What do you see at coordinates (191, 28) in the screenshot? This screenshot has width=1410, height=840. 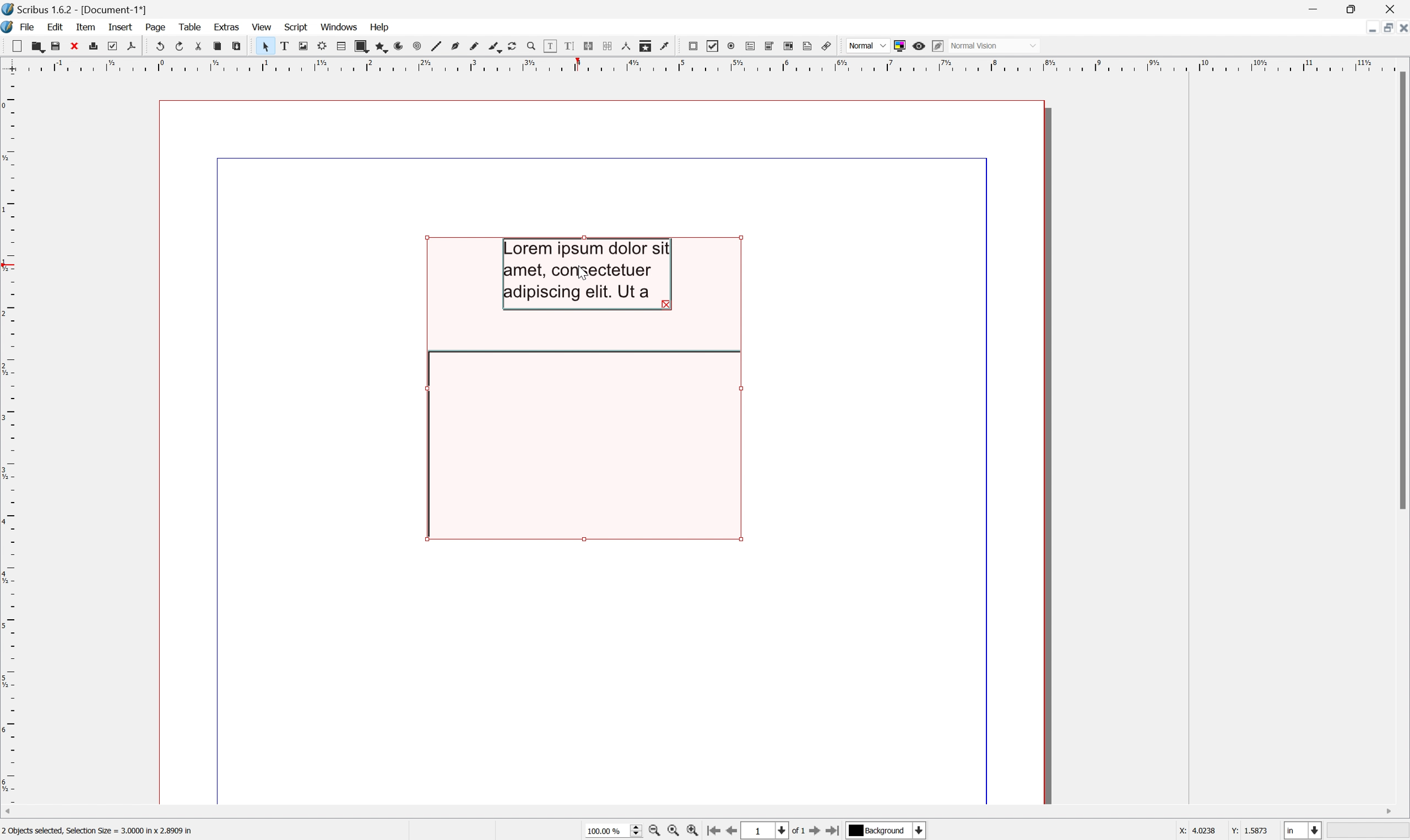 I see `Table` at bounding box center [191, 28].